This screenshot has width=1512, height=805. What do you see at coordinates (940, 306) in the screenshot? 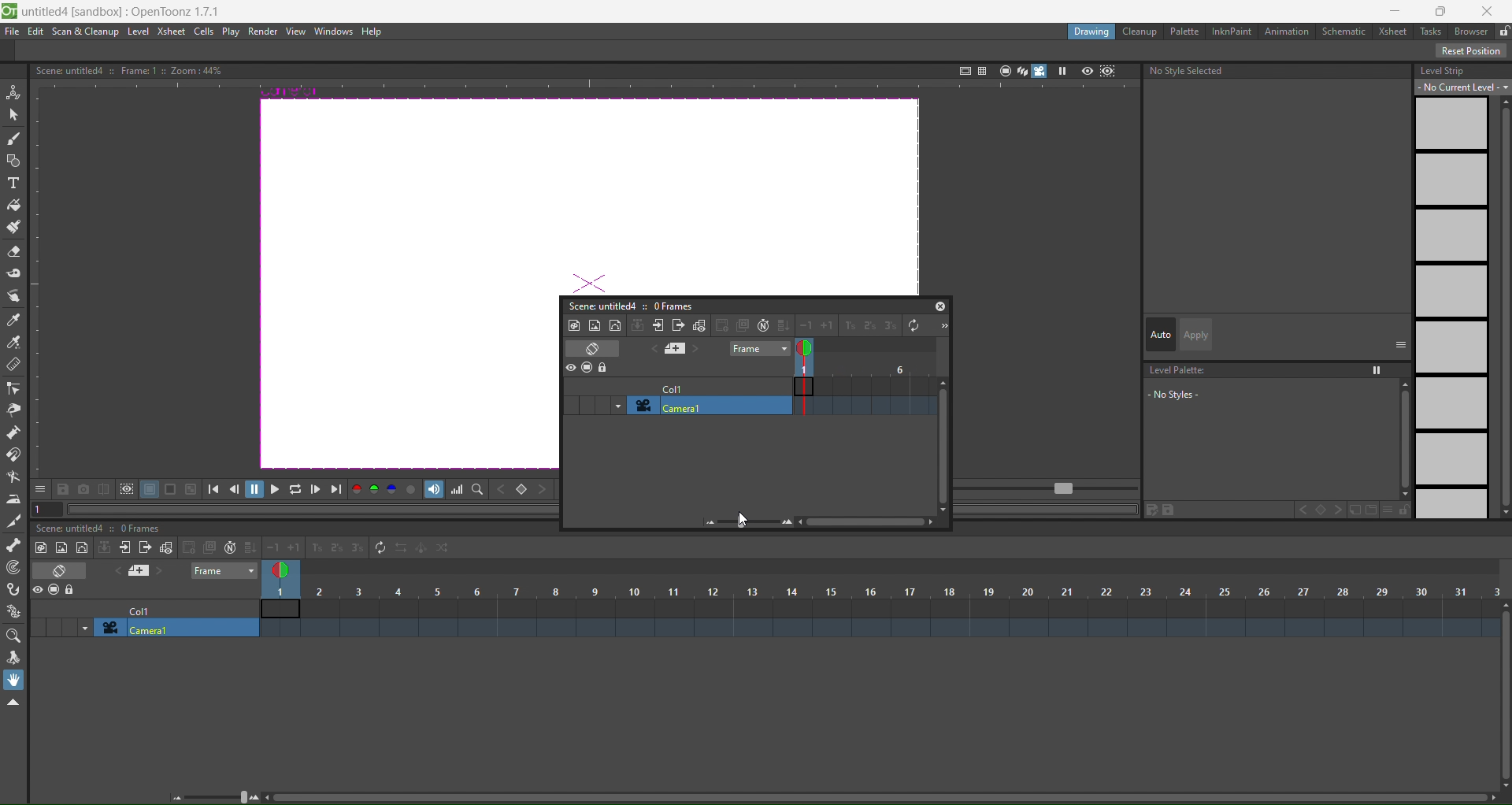
I see `close` at bounding box center [940, 306].